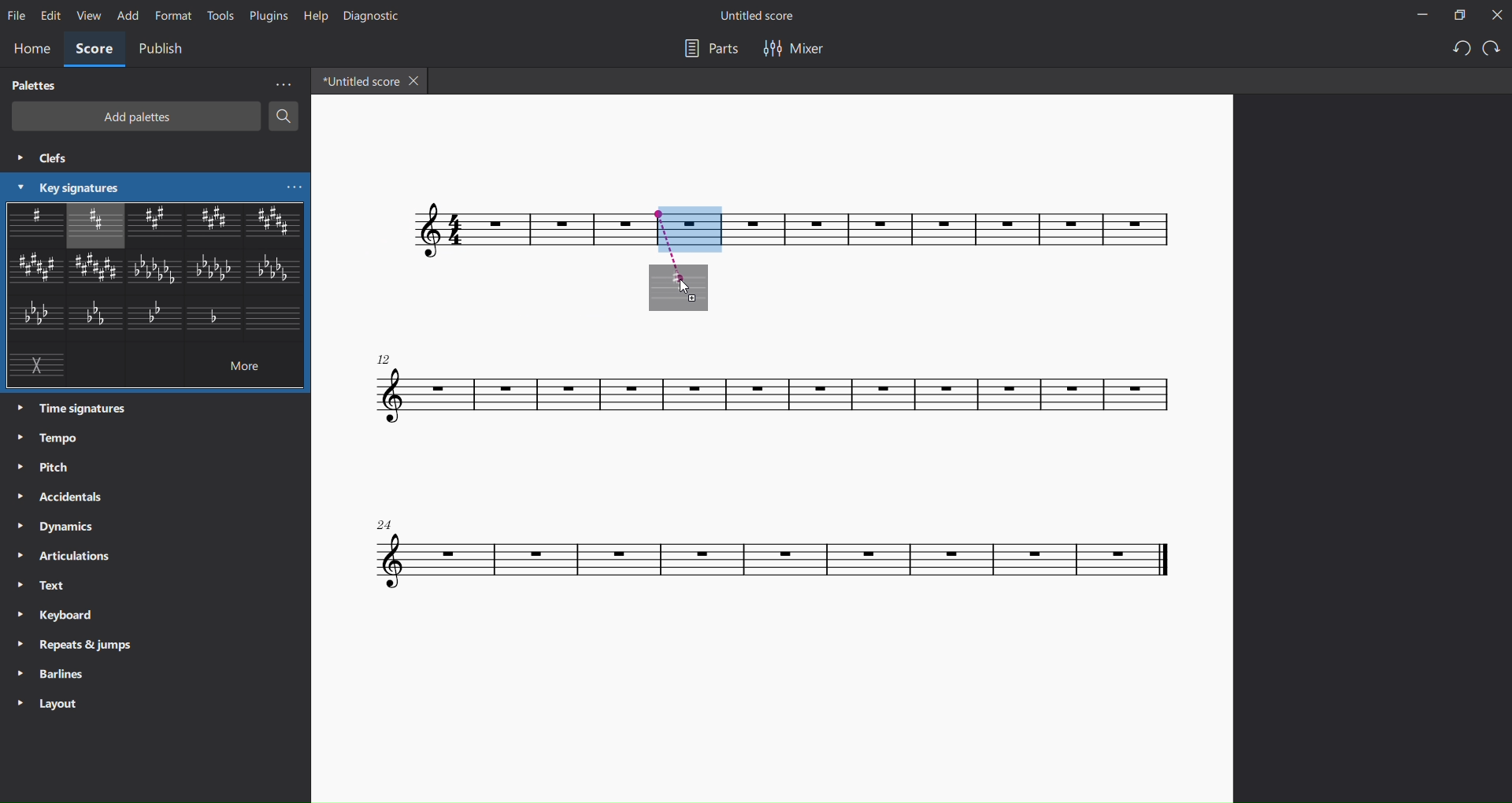  I want to click on cursor, so click(684, 290).